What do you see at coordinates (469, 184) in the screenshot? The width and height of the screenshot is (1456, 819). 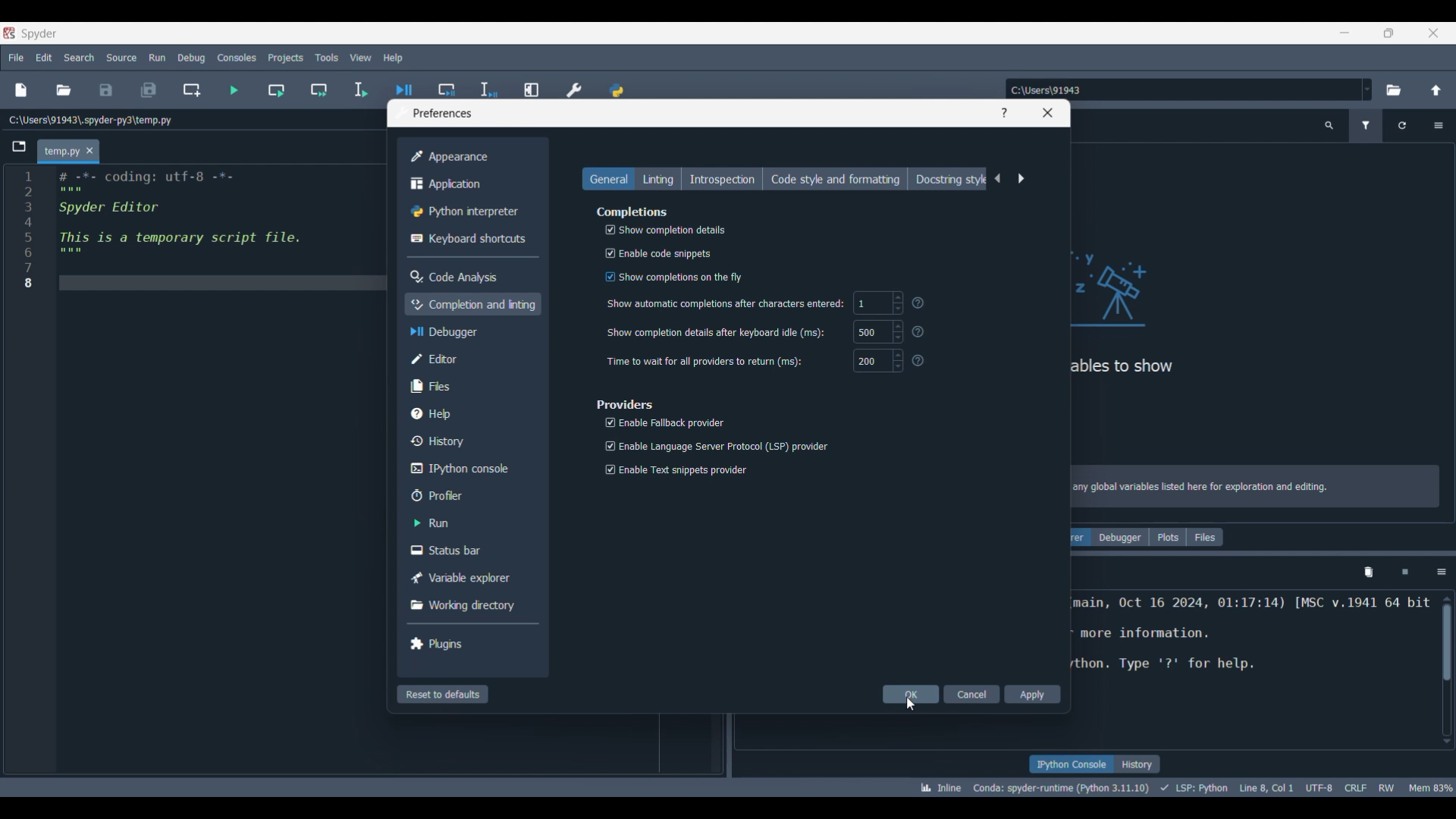 I see `Application` at bounding box center [469, 184].